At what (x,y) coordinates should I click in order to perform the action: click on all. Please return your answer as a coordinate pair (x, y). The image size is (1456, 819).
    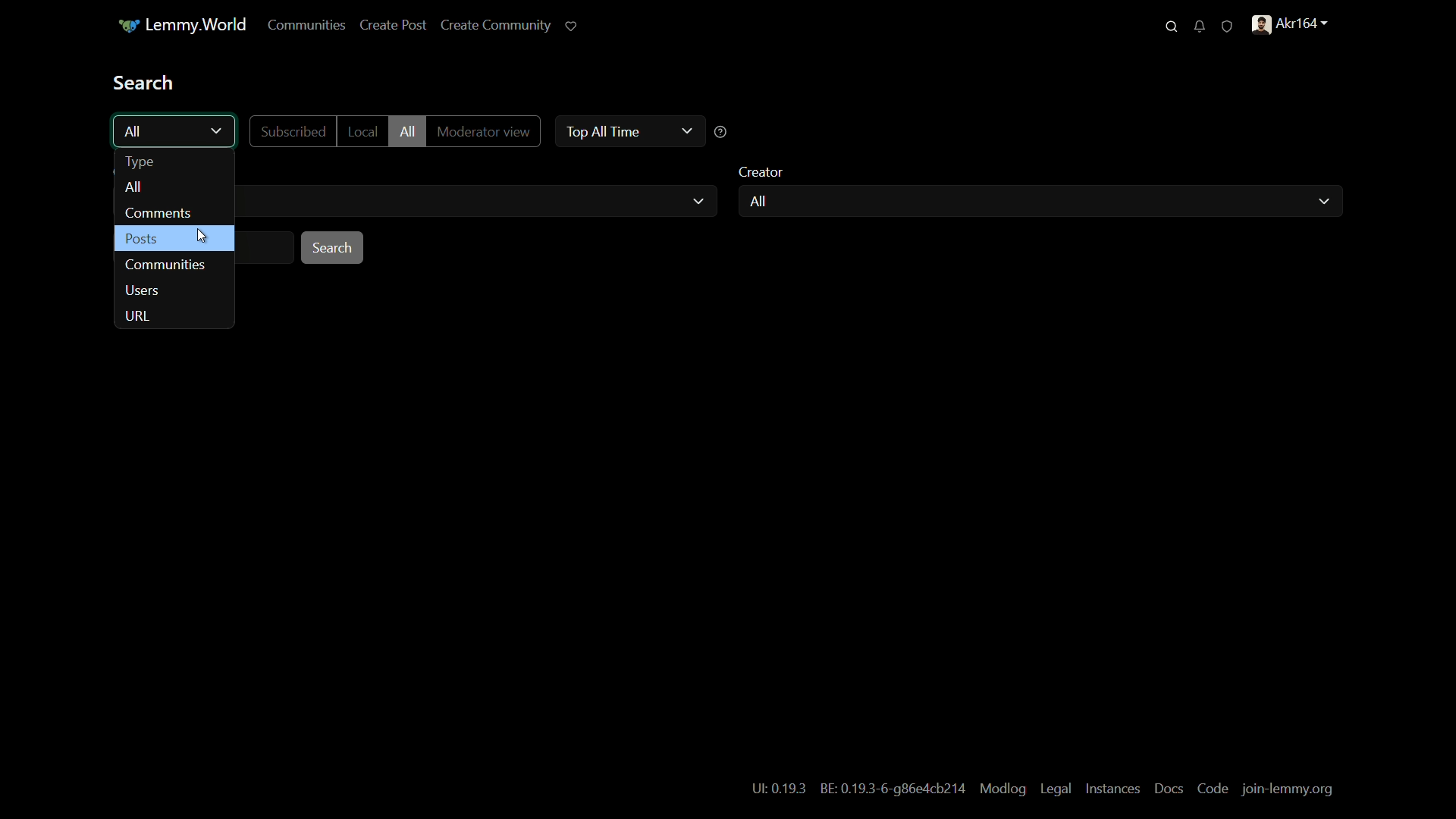
    Looking at the image, I should click on (757, 202).